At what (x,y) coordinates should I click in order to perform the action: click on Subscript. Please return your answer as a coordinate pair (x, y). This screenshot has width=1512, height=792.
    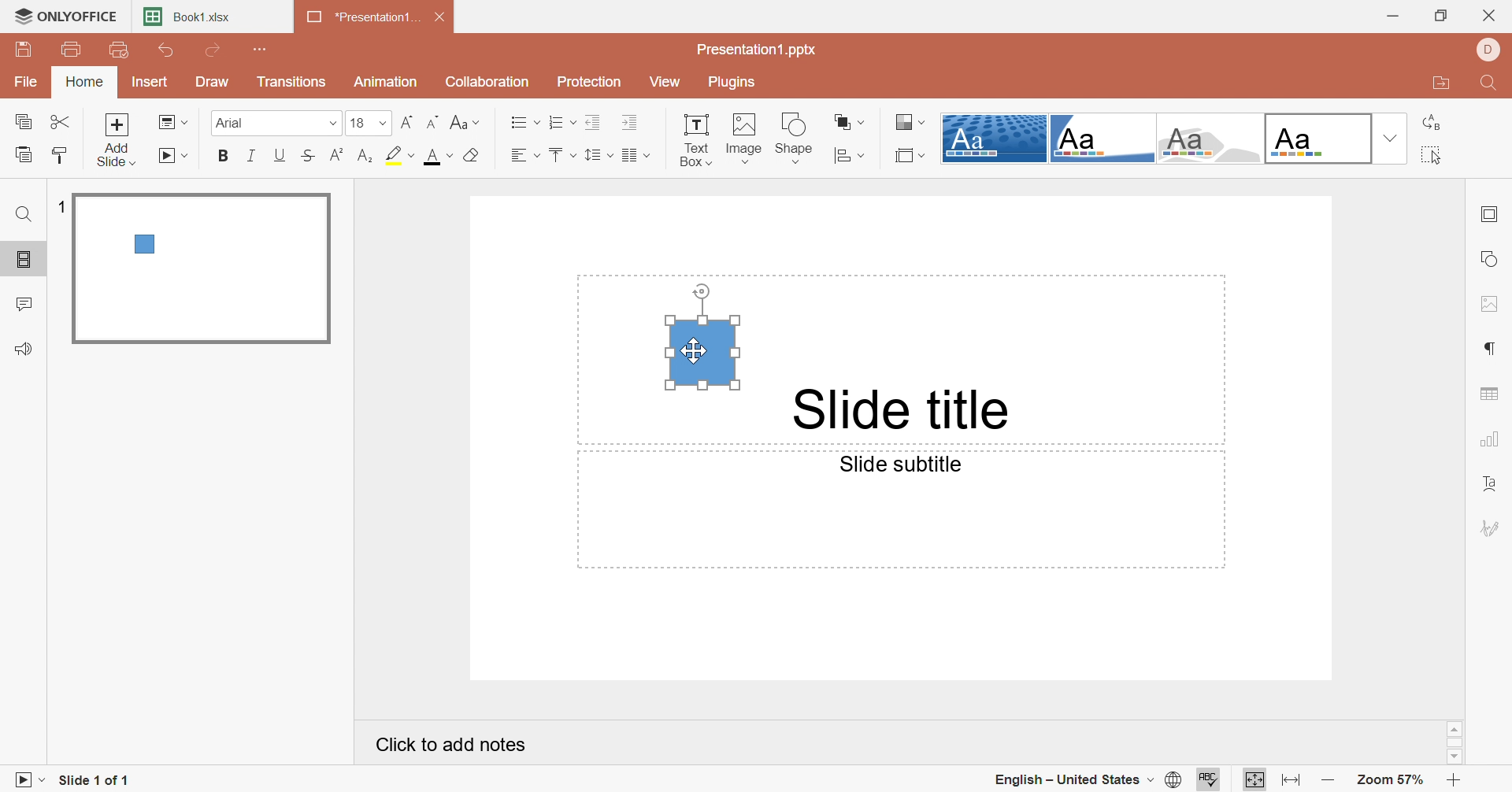
    Looking at the image, I should click on (368, 157).